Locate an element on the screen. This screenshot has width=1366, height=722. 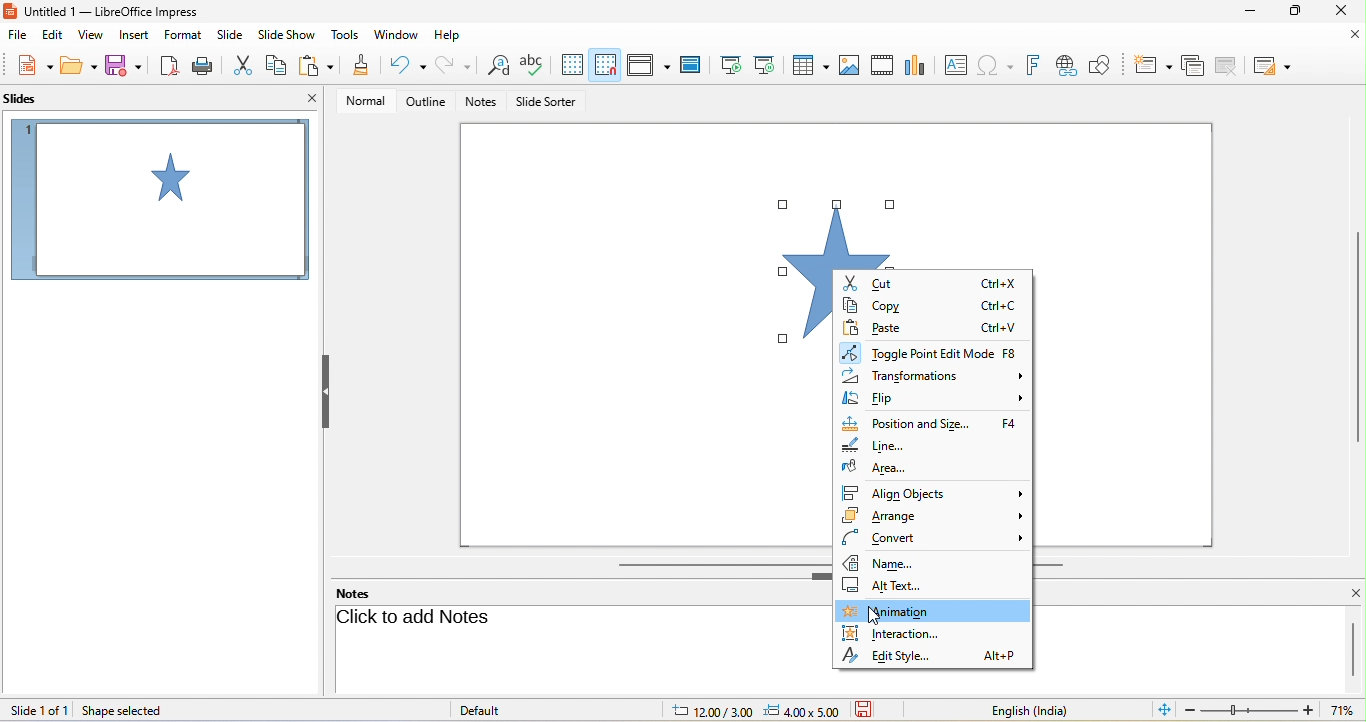
chart is located at coordinates (917, 64).